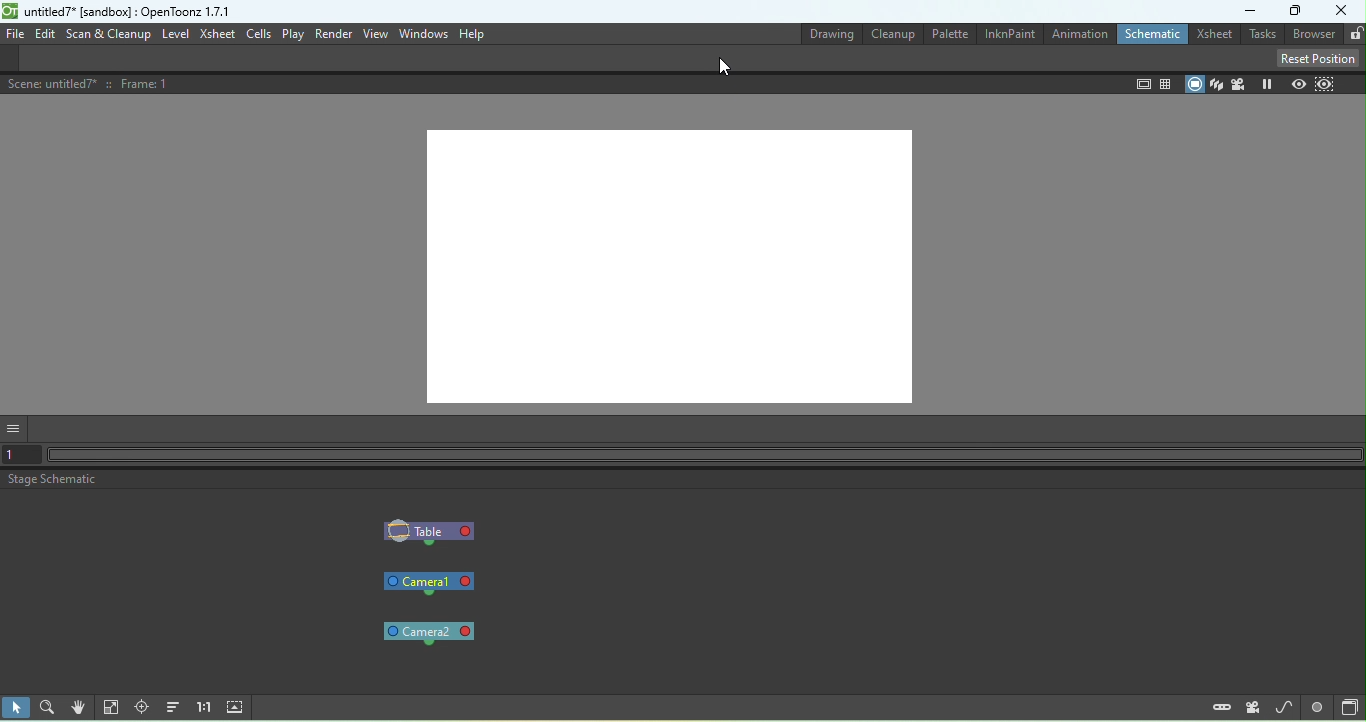 The height and width of the screenshot is (722, 1366). Describe the element at coordinates (1153, 35) in the screenshot. I see `Schematic` at that location.